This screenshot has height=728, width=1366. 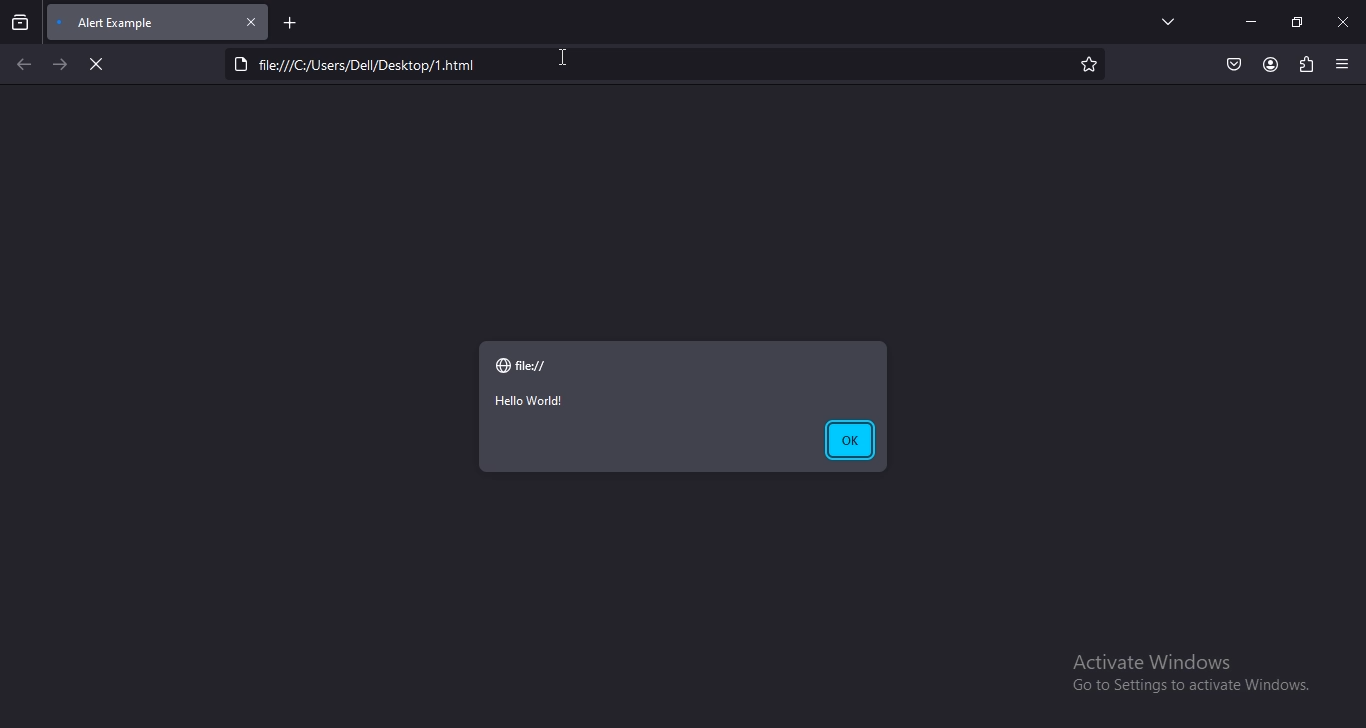 What do you see at coordinates (1250, 21) in the screenshot?
I see `minimize` at bounding box center [1250, 21].